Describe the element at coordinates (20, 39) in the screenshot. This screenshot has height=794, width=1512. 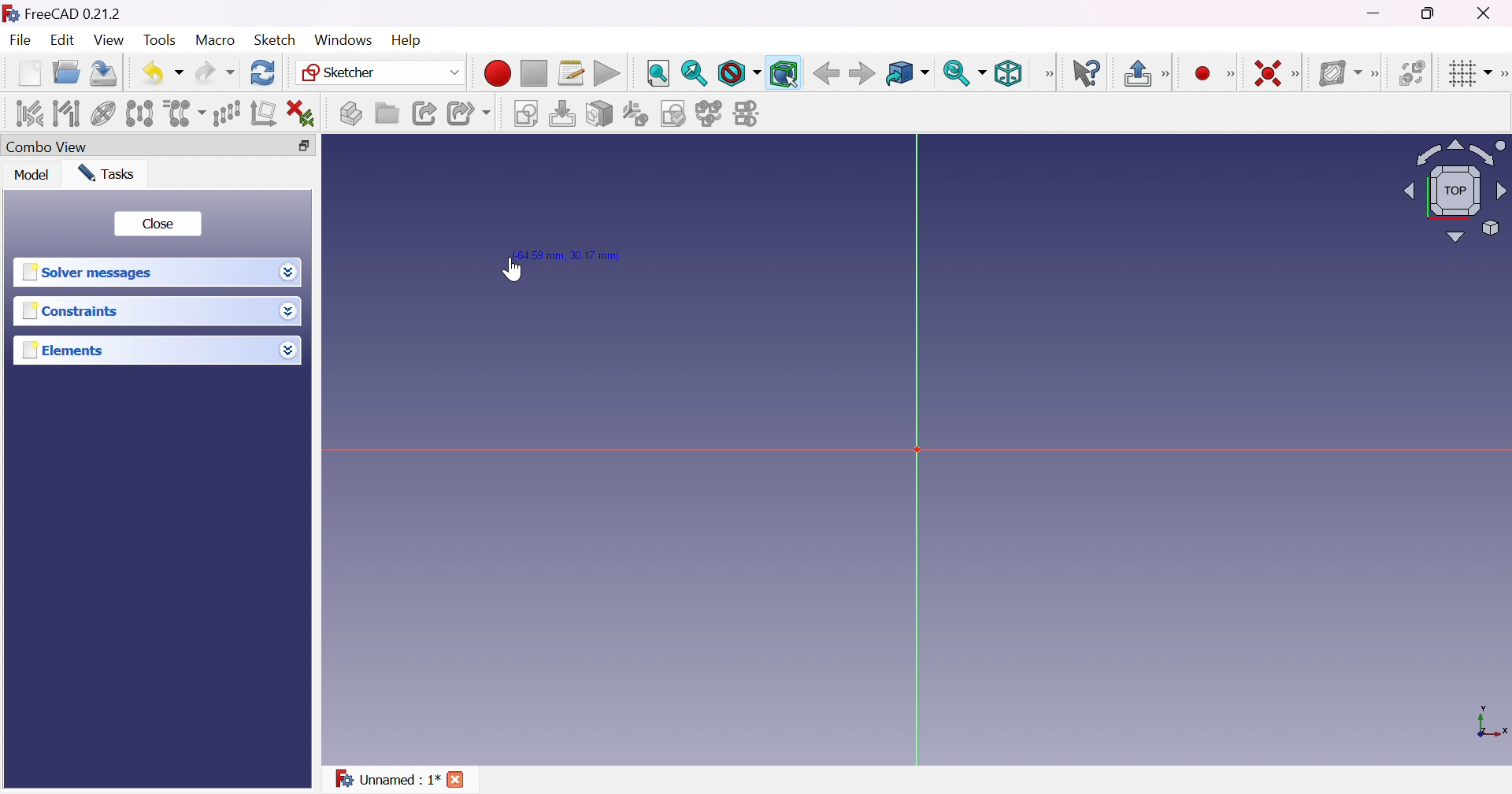
I see `File` at that location.